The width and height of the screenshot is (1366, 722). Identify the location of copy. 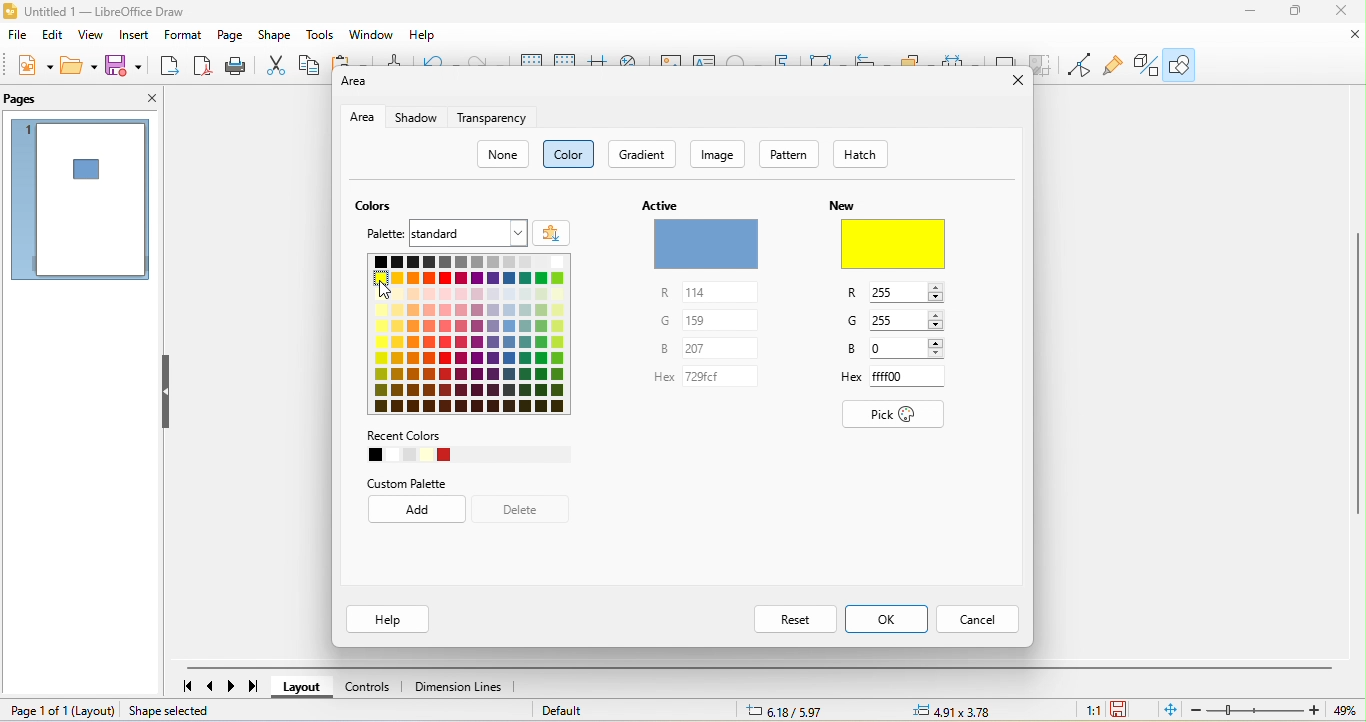
(313, 67).